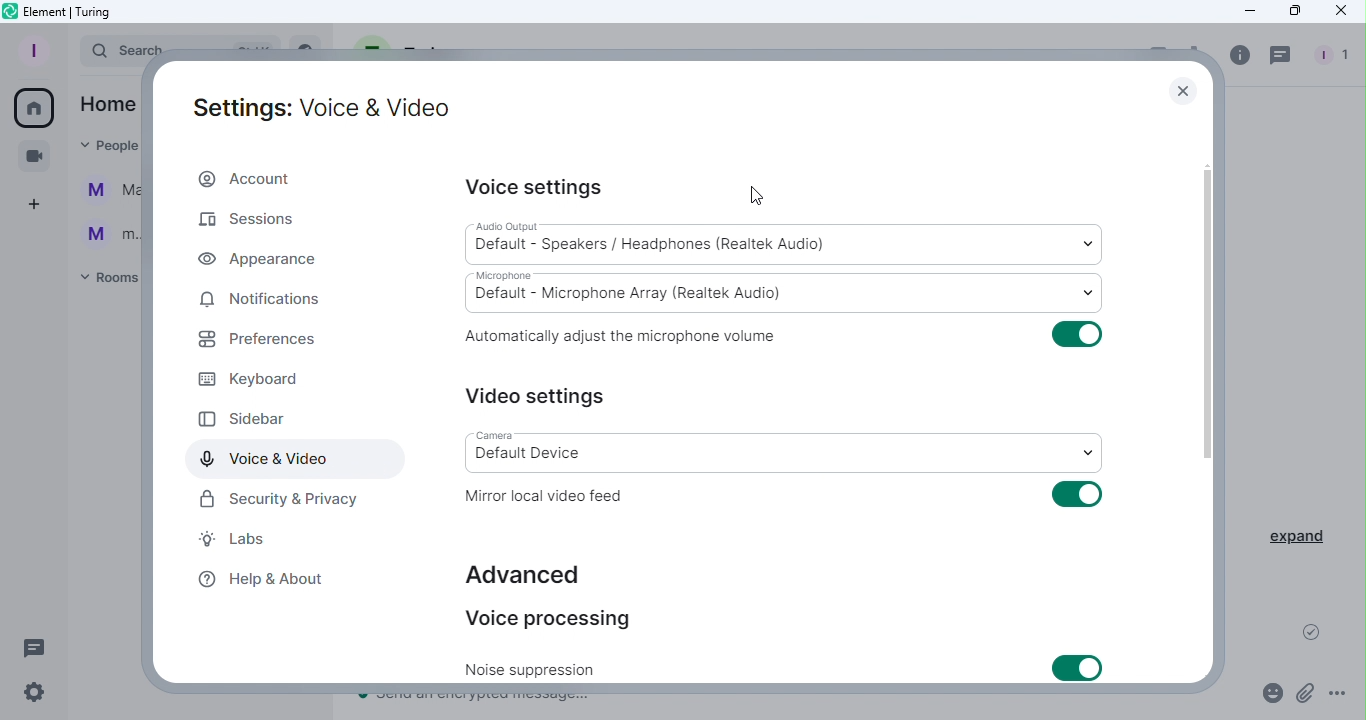  I want to click on Microphone, so click(789, 291).